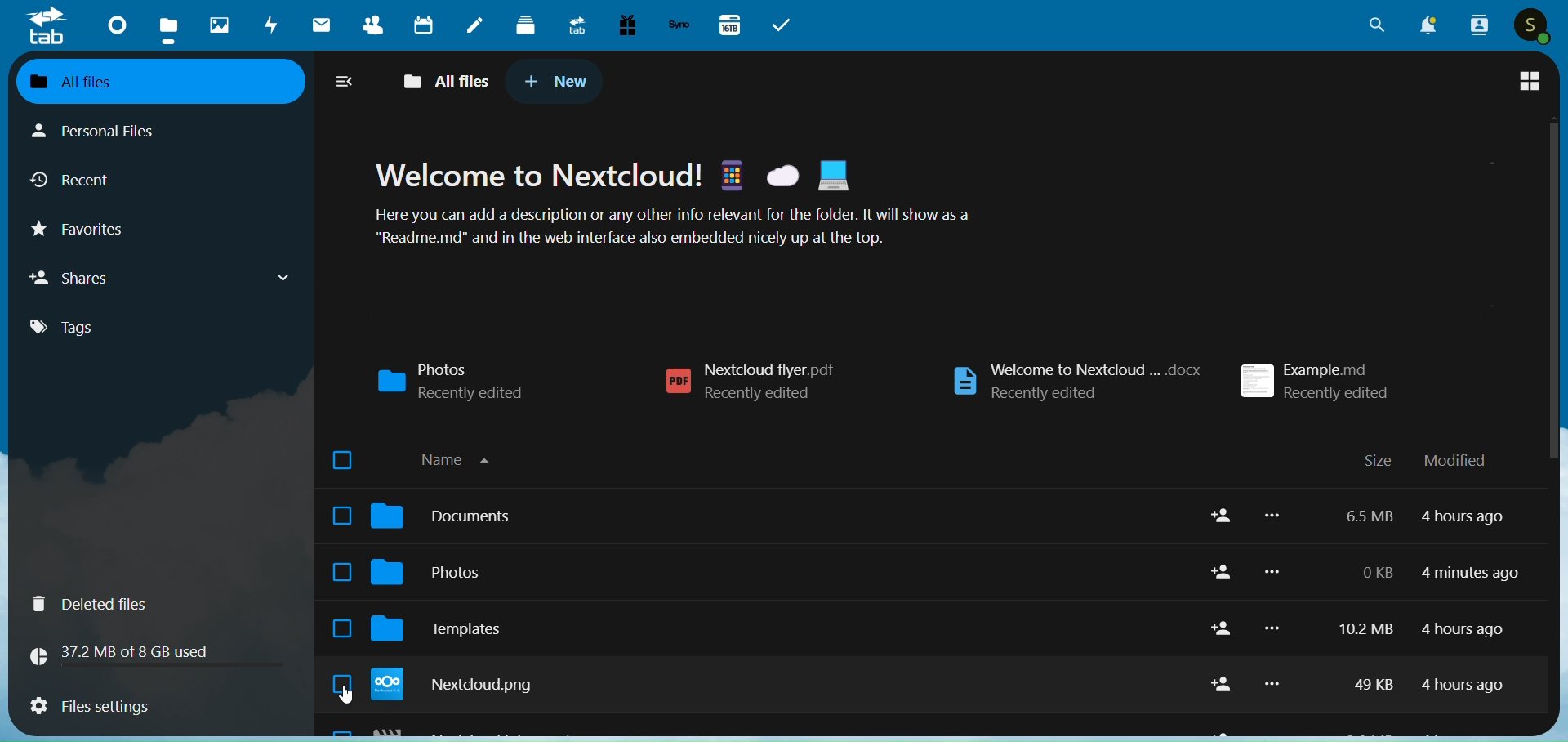  Describe the element at coordinates (322, 25) in the screenshot. I see `mail` at that location.